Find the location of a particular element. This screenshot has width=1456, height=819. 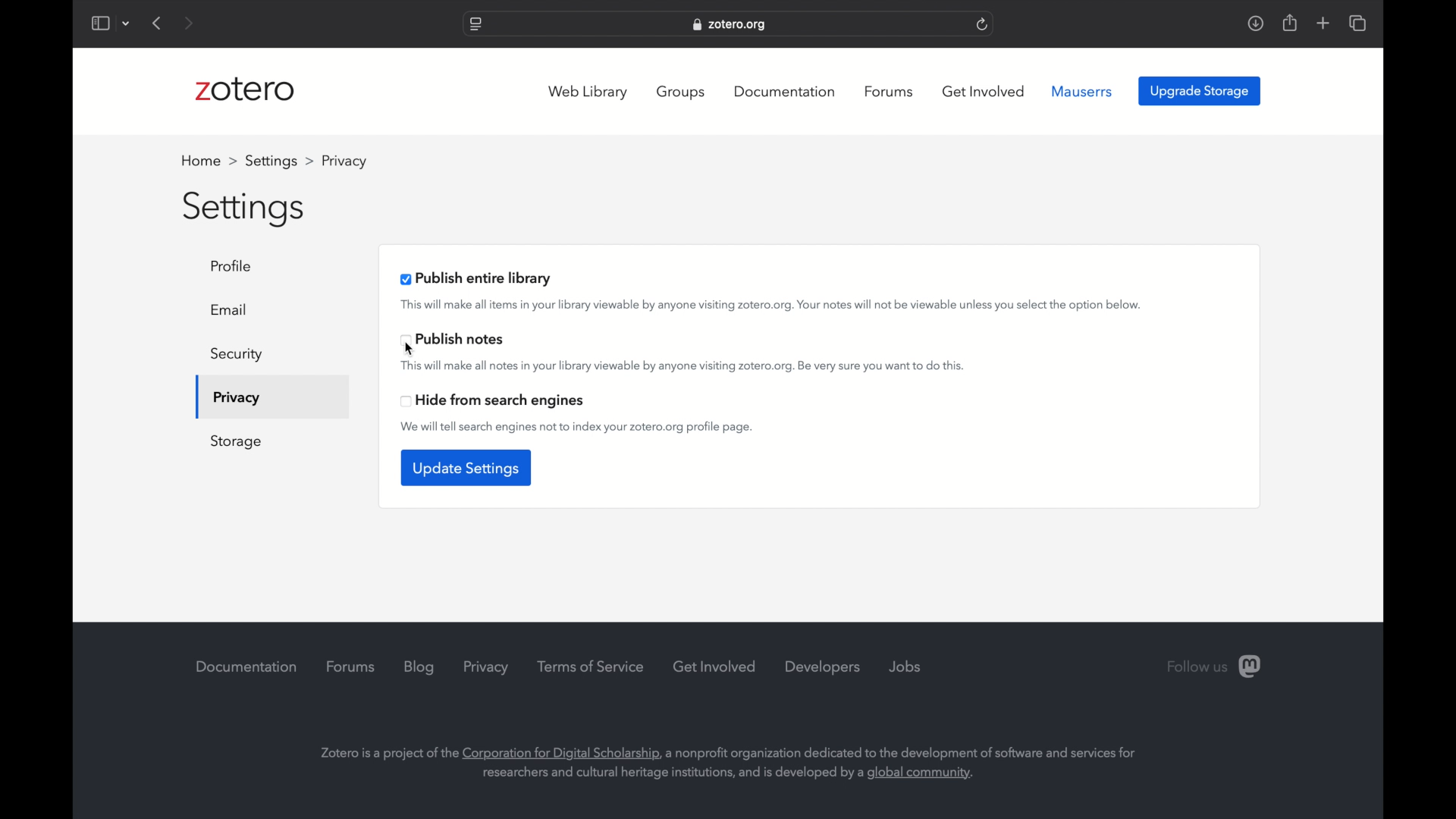

zotero company description is located at coordinates (727, 763).